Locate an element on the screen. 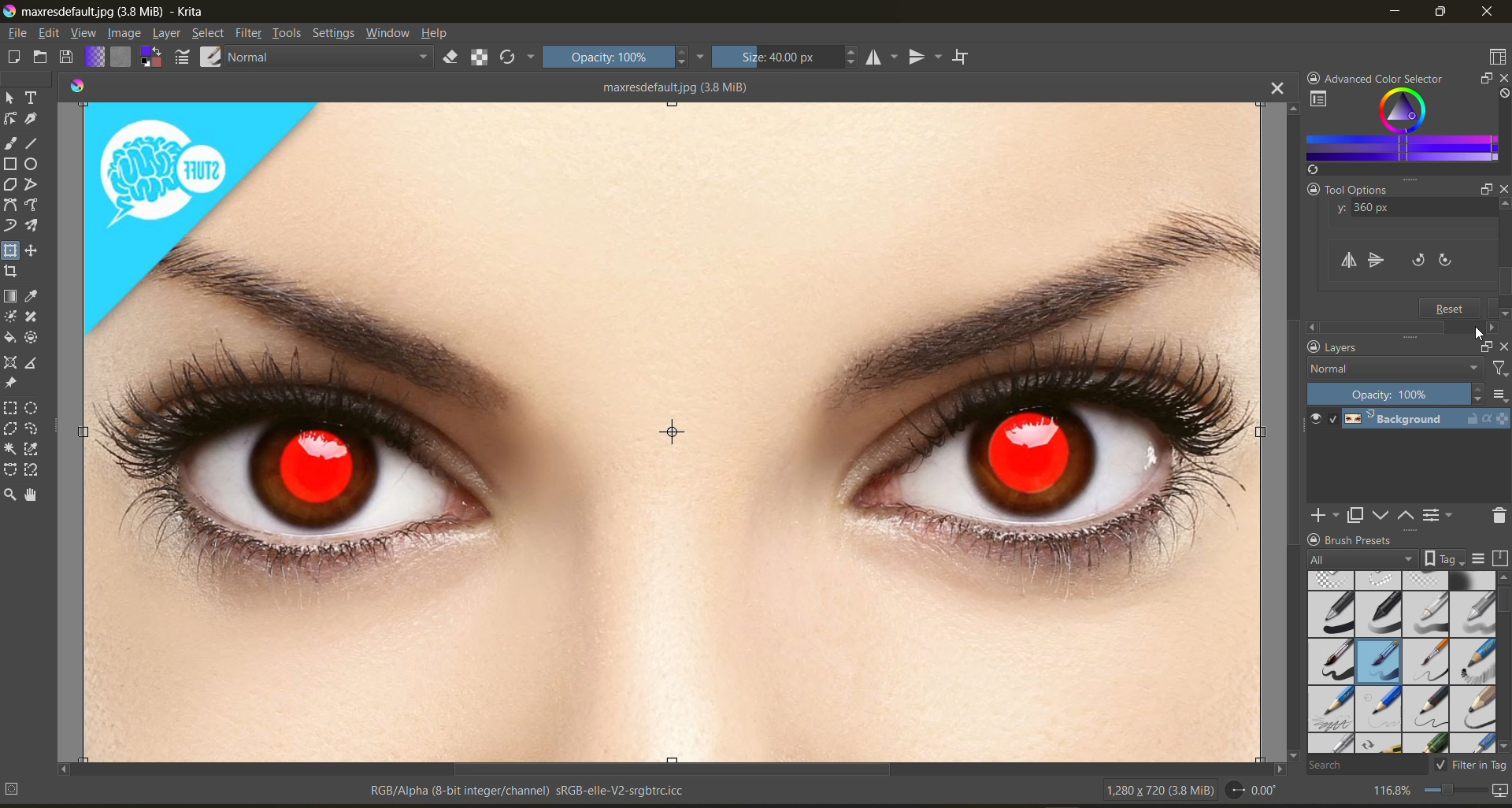  tool is located at coordinates (31, 410).